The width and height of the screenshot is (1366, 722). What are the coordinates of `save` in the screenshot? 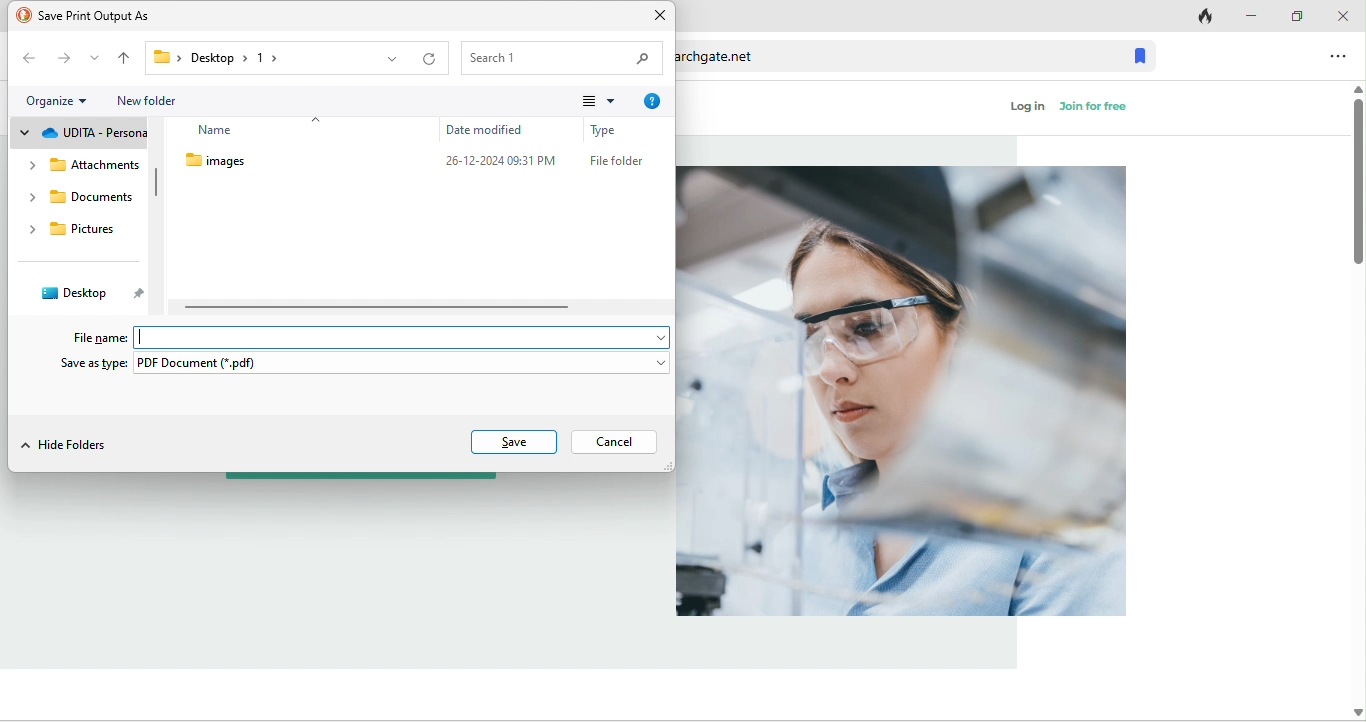 It's located at (514, 441).